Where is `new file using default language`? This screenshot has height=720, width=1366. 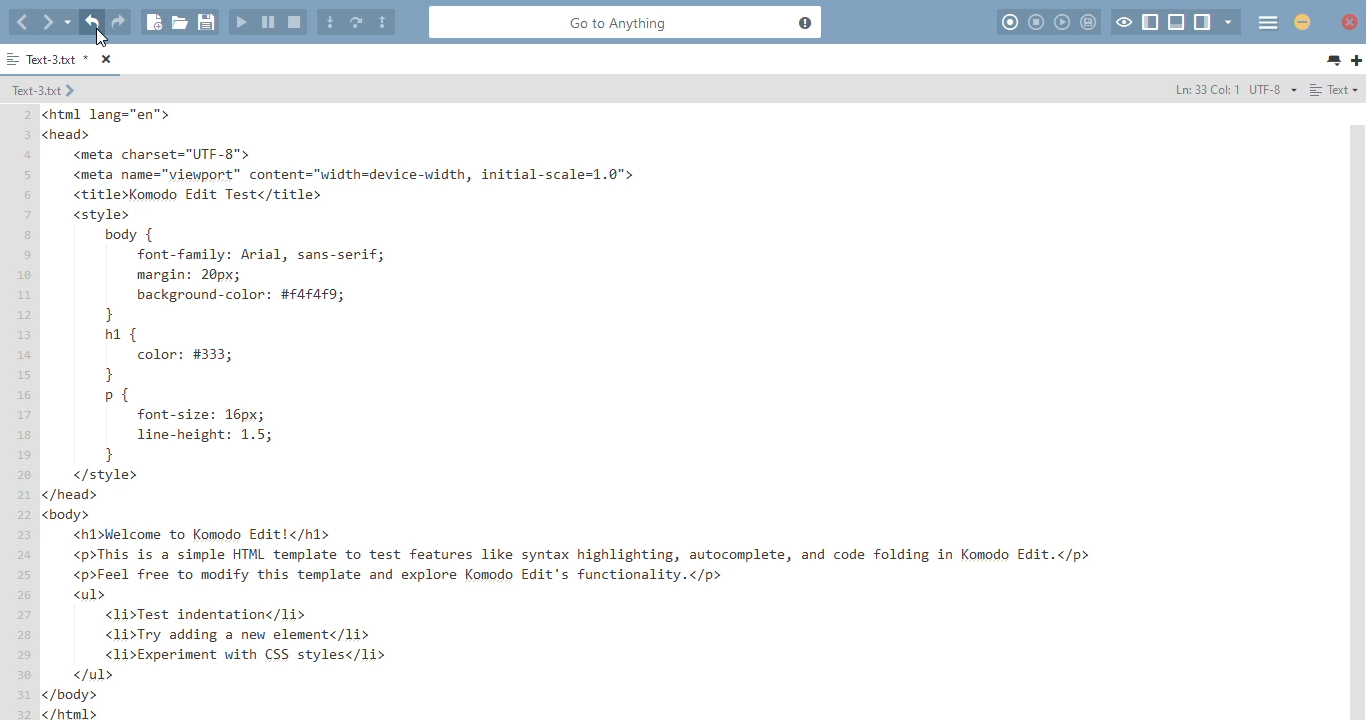
new file using default language is located at coordinates (154, 22).